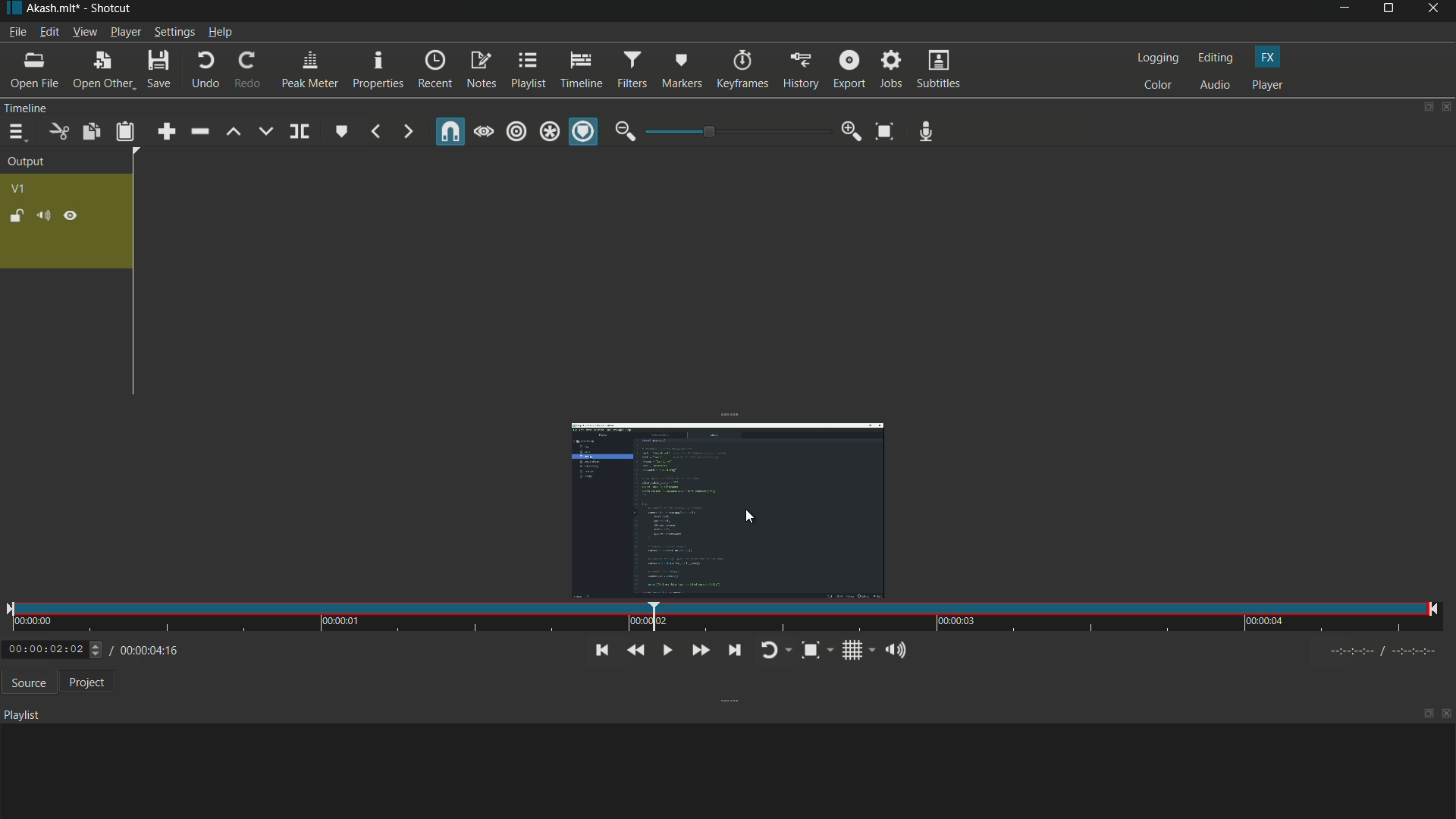  I want to click on v1, so click(17, 190).